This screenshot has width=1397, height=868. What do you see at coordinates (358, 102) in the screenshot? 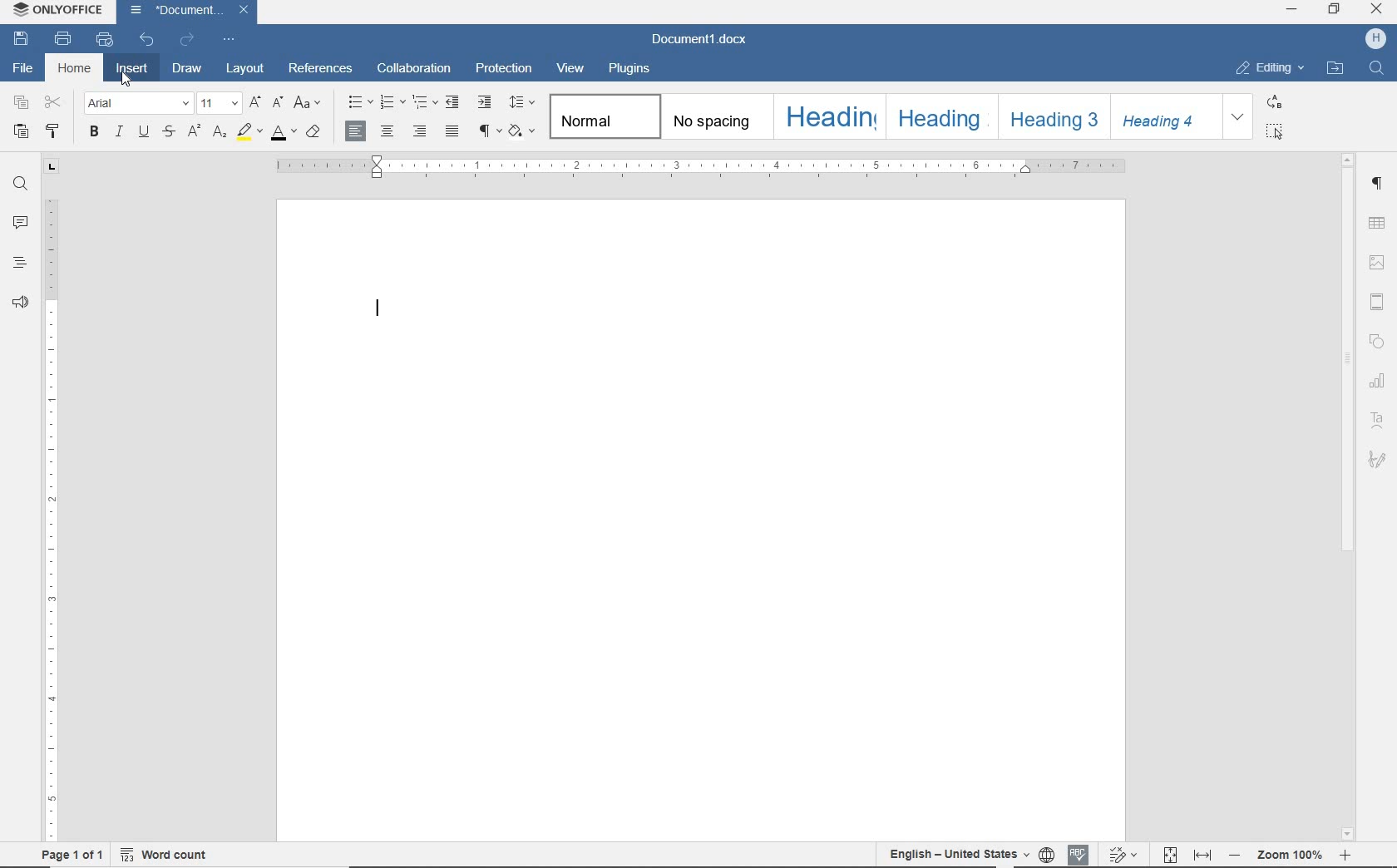
I see `bullets` at bounding box center [358, 102].